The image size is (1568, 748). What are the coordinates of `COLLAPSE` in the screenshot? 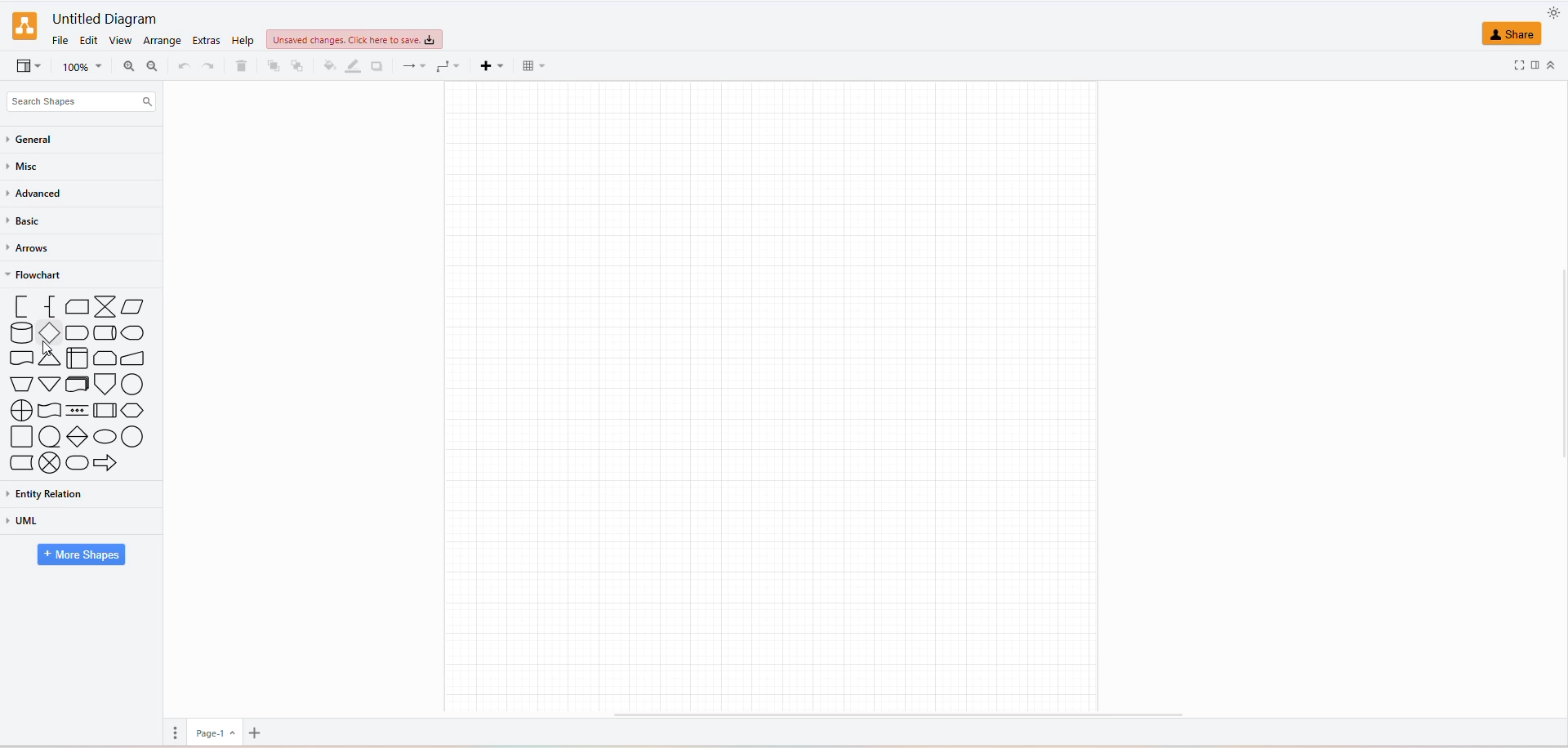 It's located at (1550, 63).